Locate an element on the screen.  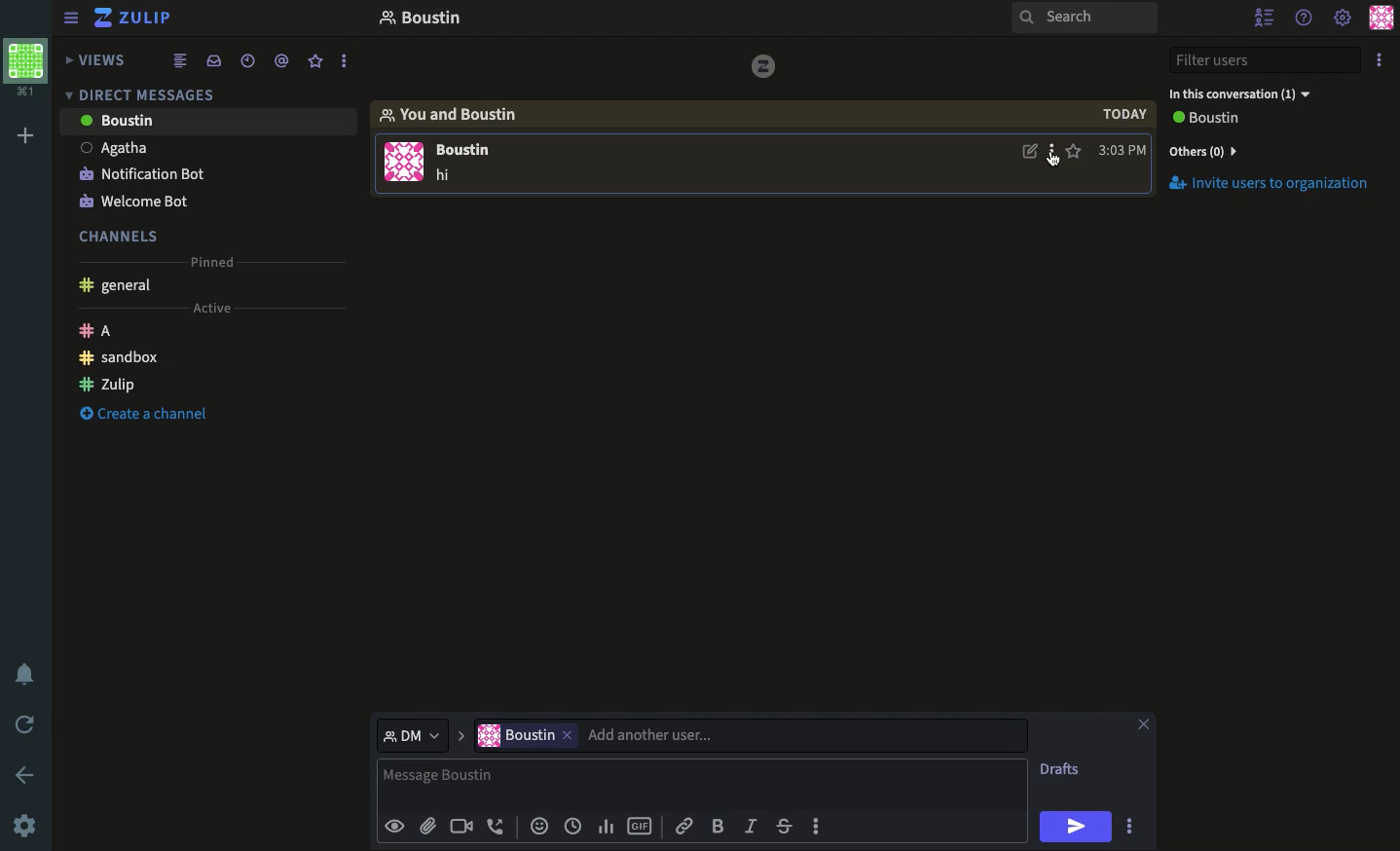
You and user is located at coordinates (458, 114).